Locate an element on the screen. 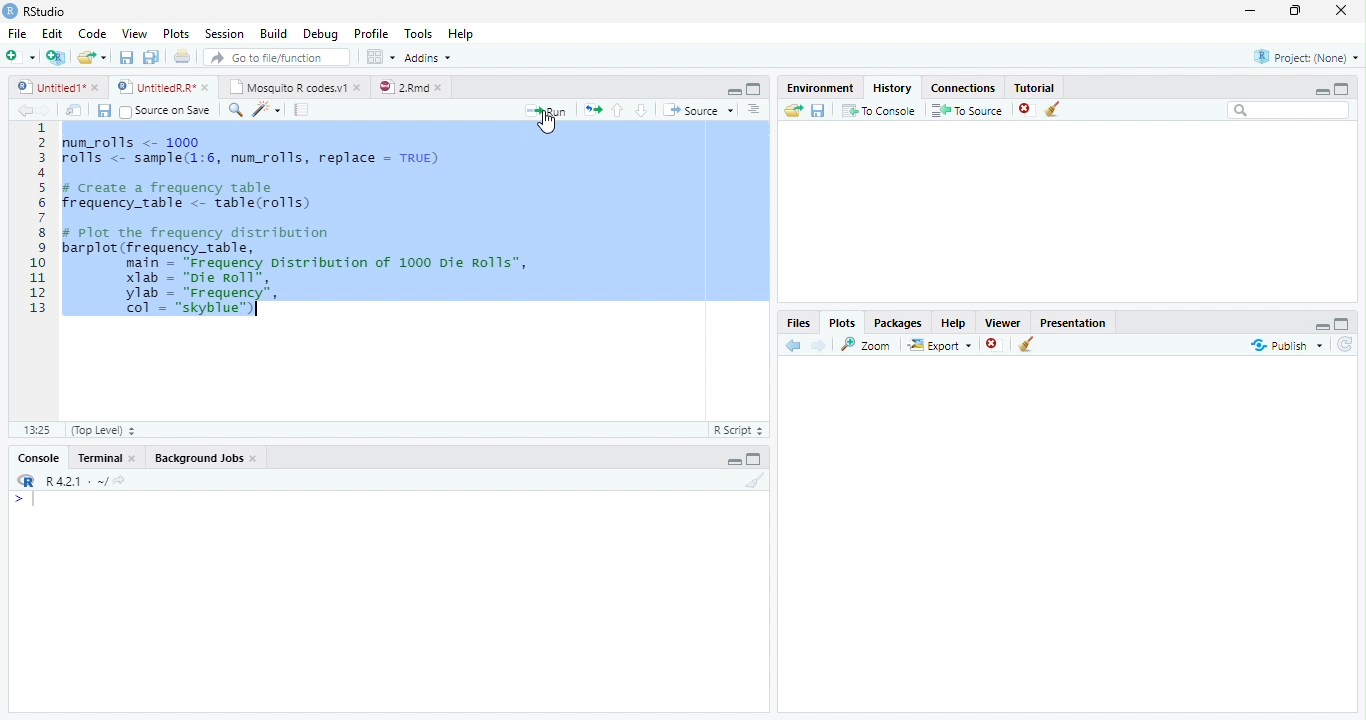  Workspace panes is located at coordinates (379, 57).